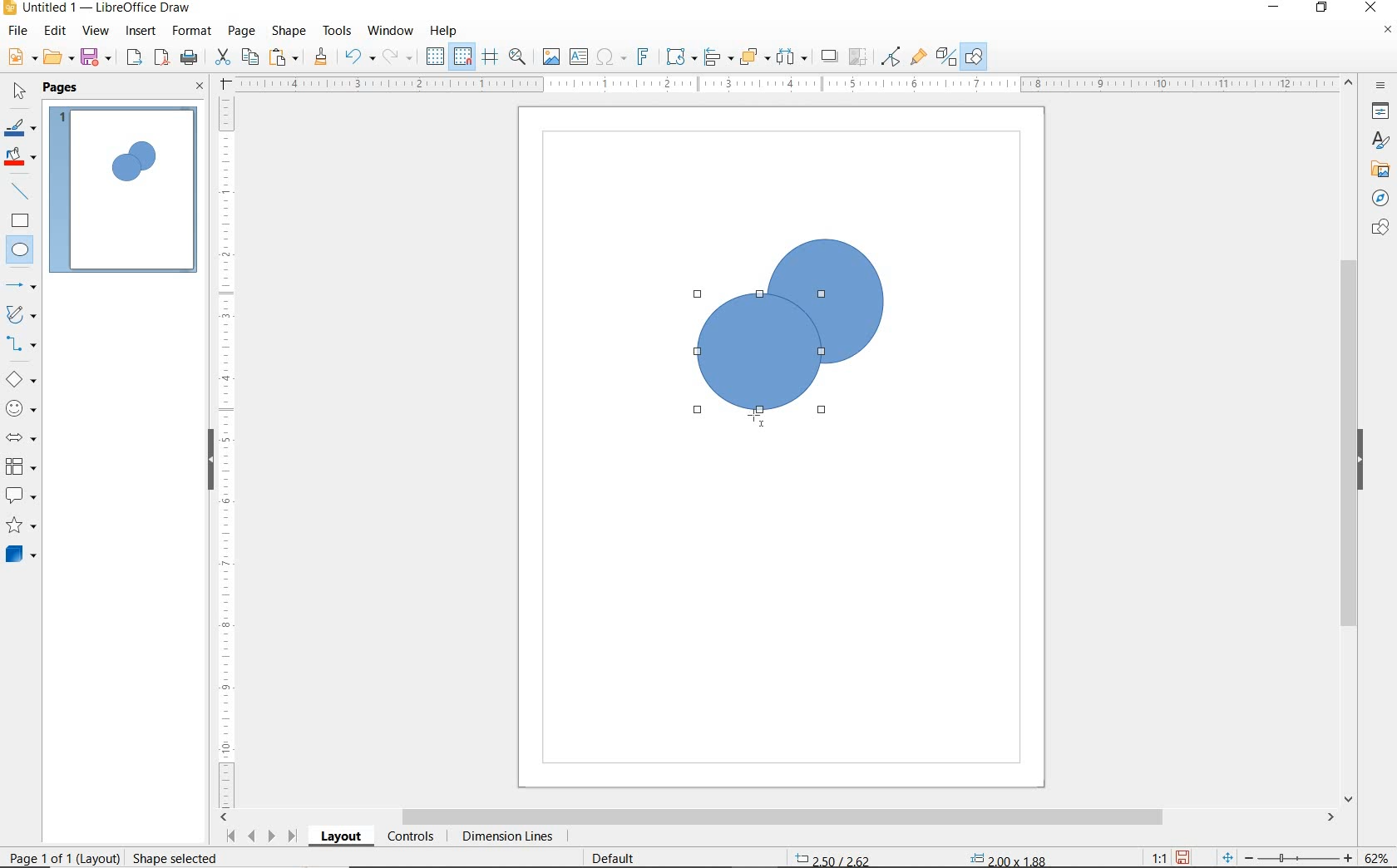 The width and height of the screenshot is (1397, 868). I want to click on SCALE FACTOR, so click(1151, 857).